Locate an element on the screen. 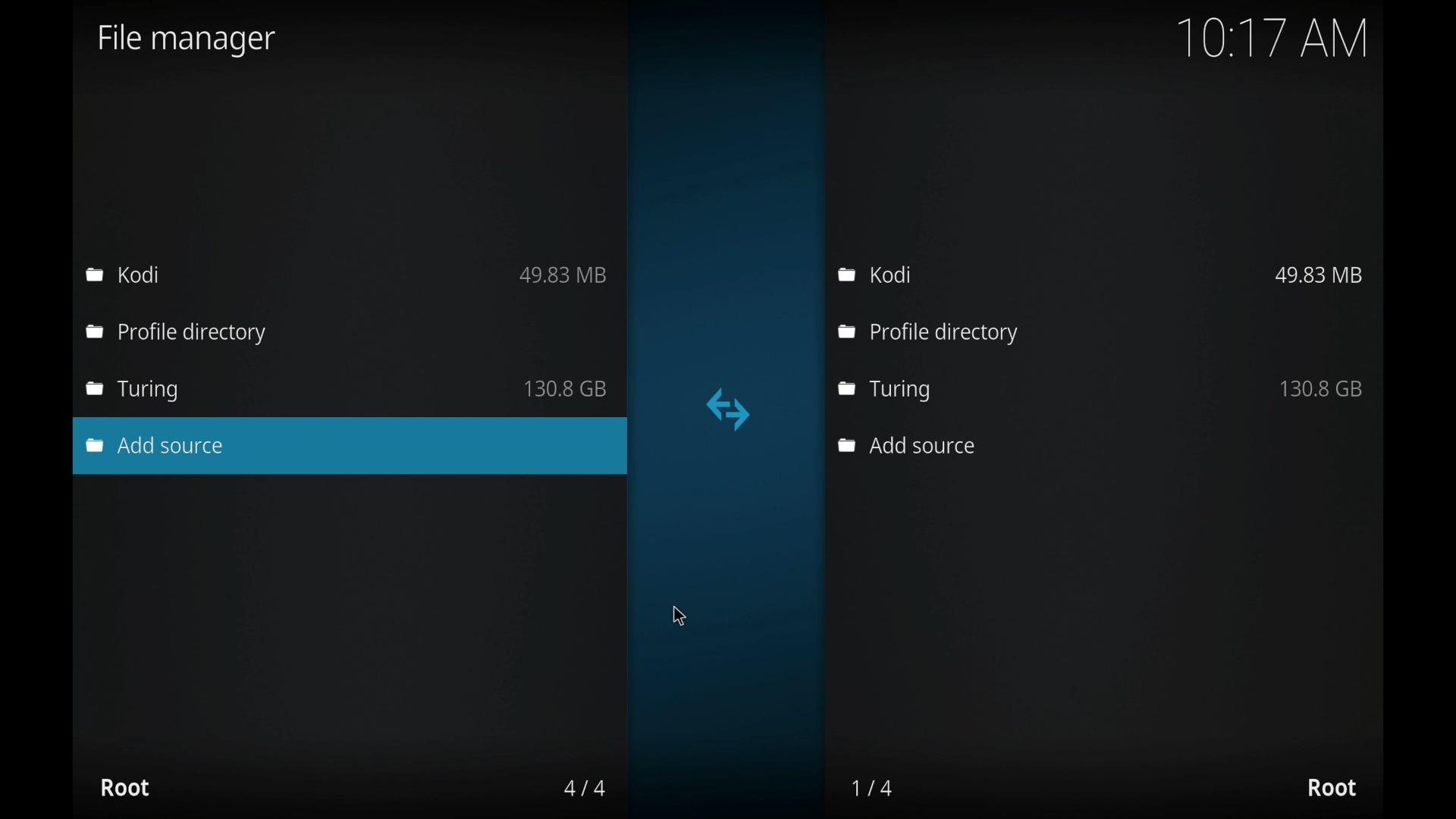 Image resolution: width=1456 pixels, height=819 pixels. 3/3 is located at coordinates (583, 788).